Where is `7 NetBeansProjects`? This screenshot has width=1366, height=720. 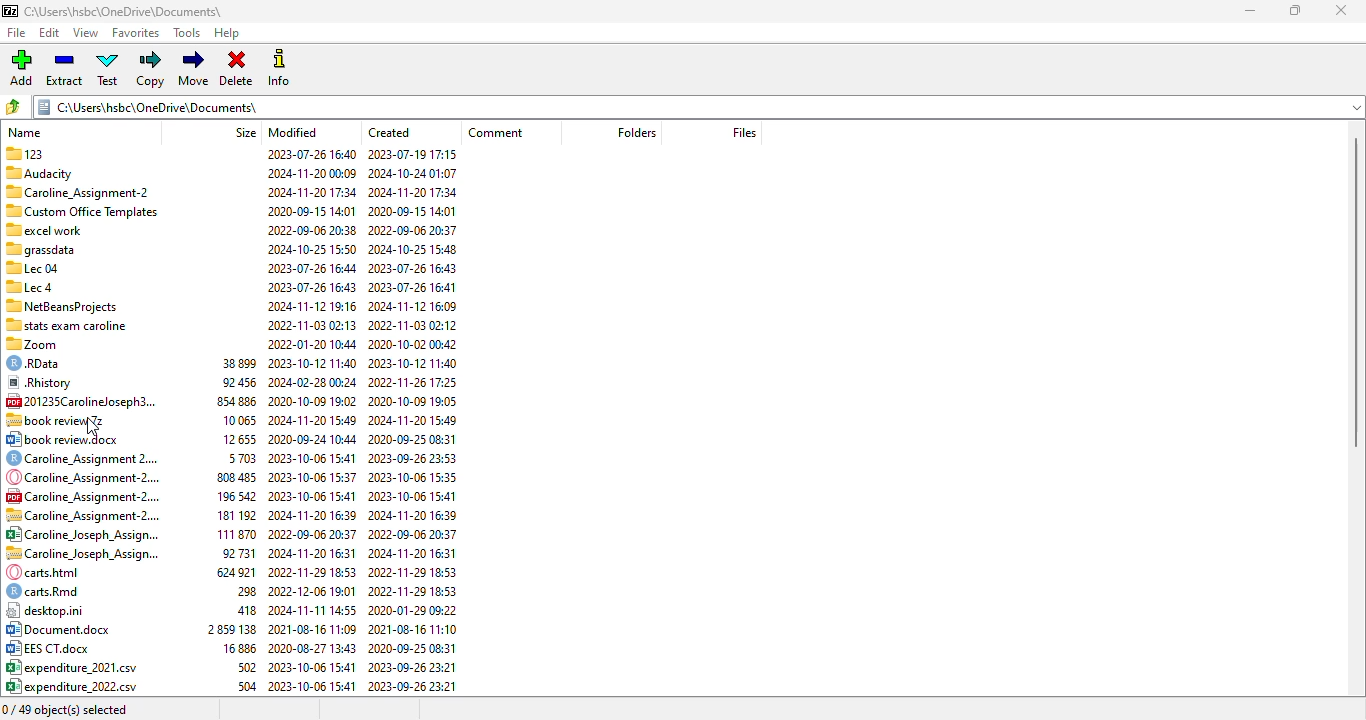 7 NetBeansProjects is located at coordinates (62, 307).